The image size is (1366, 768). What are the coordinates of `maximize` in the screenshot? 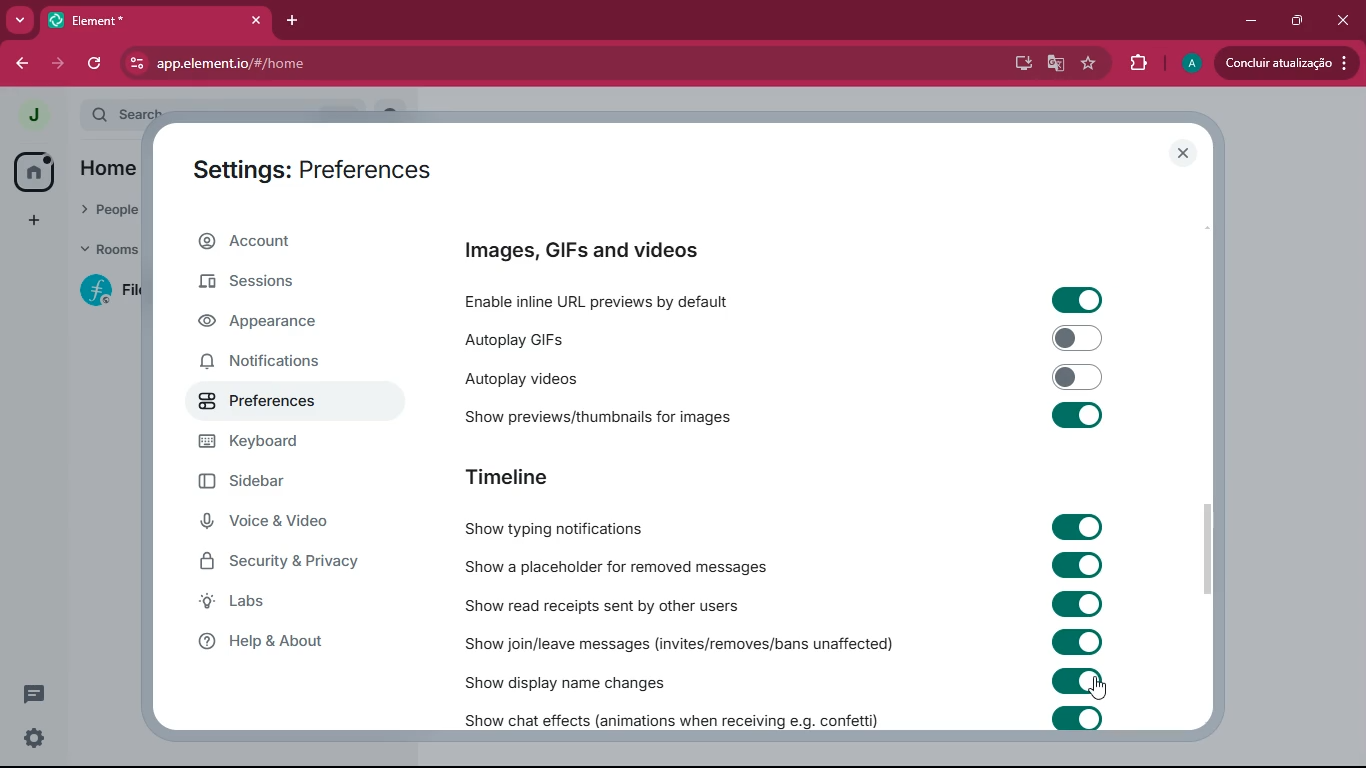 It's located at (1297, 20).